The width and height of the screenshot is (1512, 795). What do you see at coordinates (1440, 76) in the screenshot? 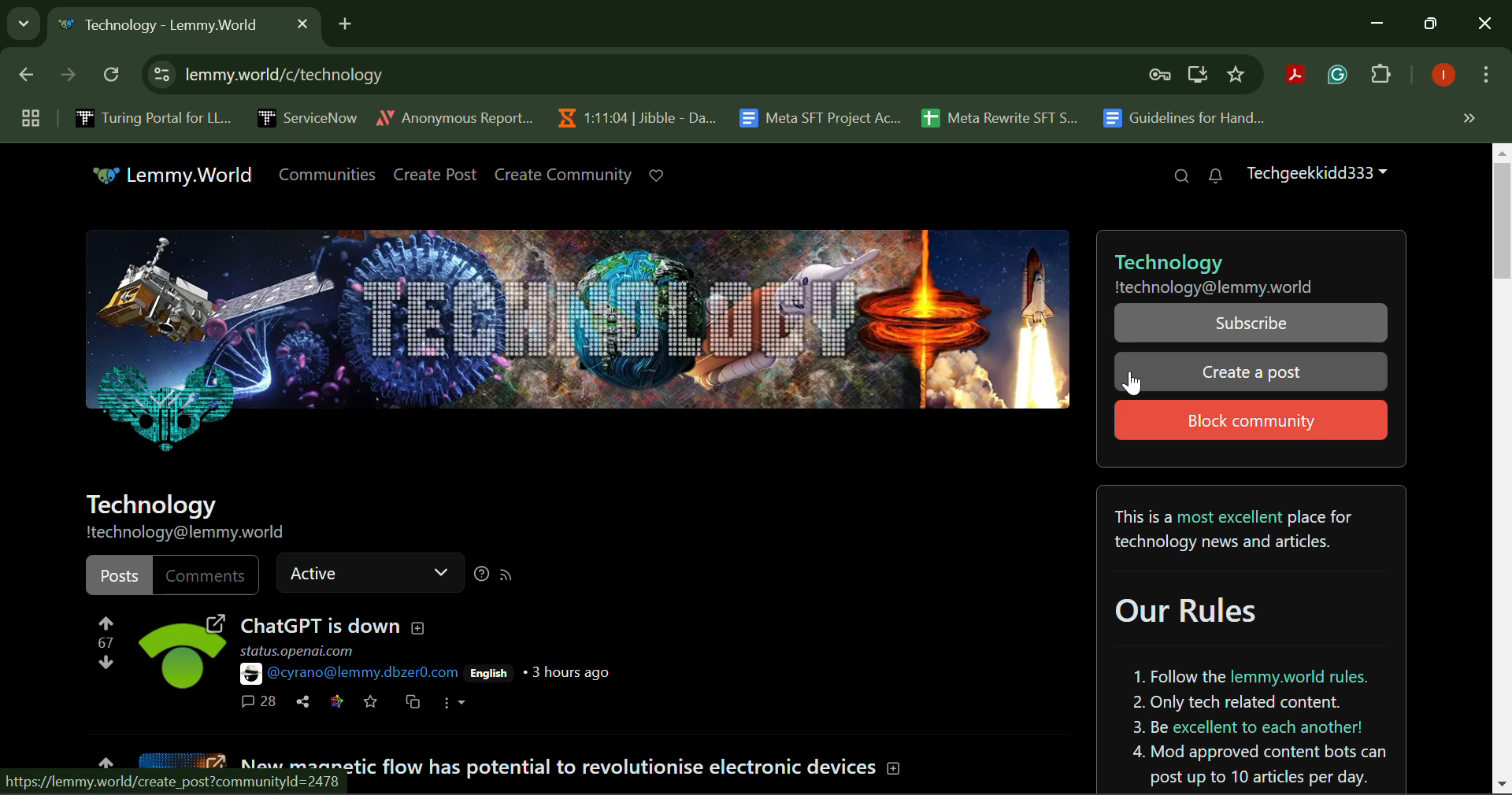
I see `Logged In User` at bounding box center [1440, 76].